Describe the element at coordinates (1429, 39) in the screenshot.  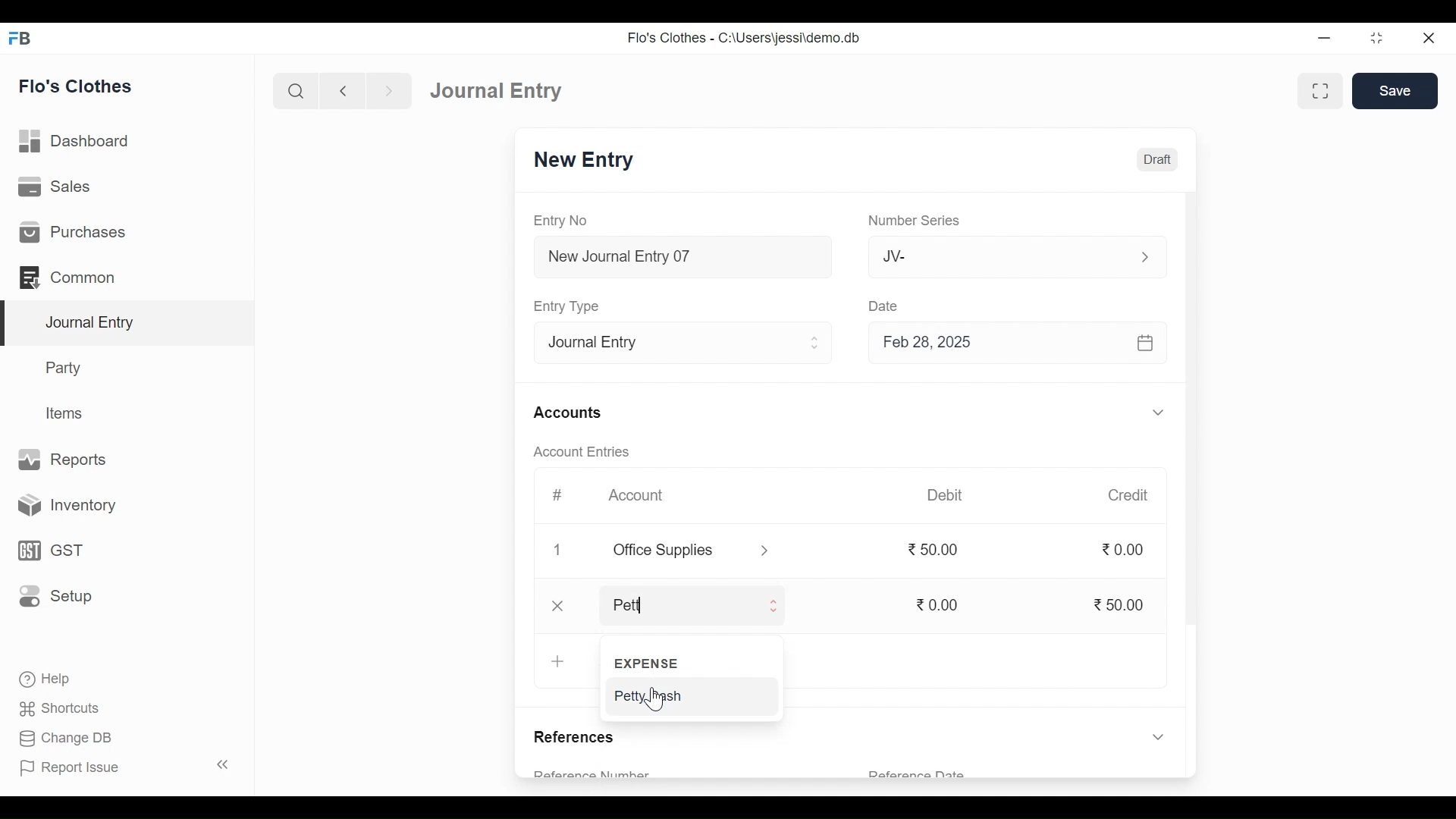
I see `Close` at that location.